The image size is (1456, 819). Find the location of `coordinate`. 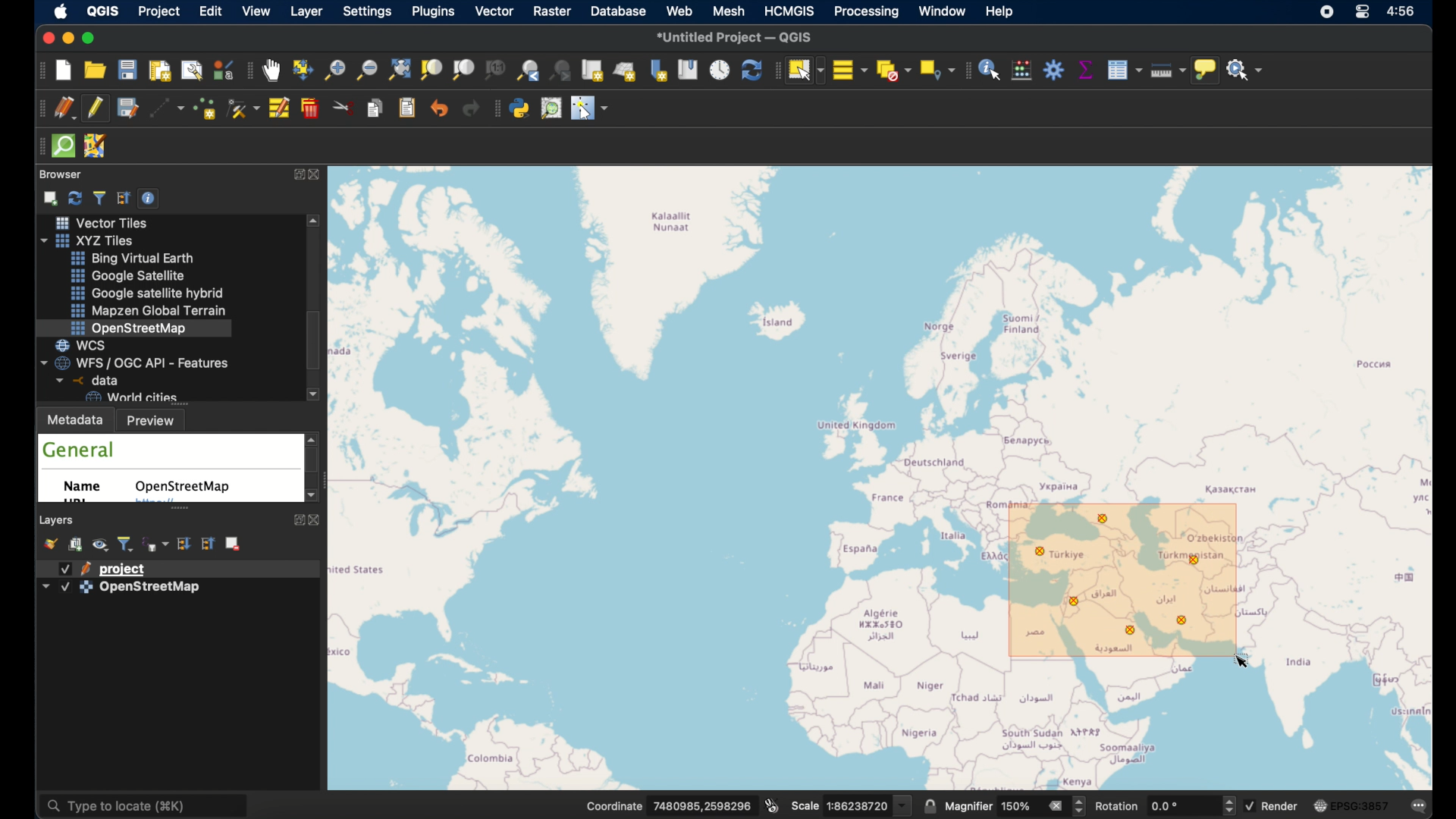

coordinate is located at coordinates (697, 805).